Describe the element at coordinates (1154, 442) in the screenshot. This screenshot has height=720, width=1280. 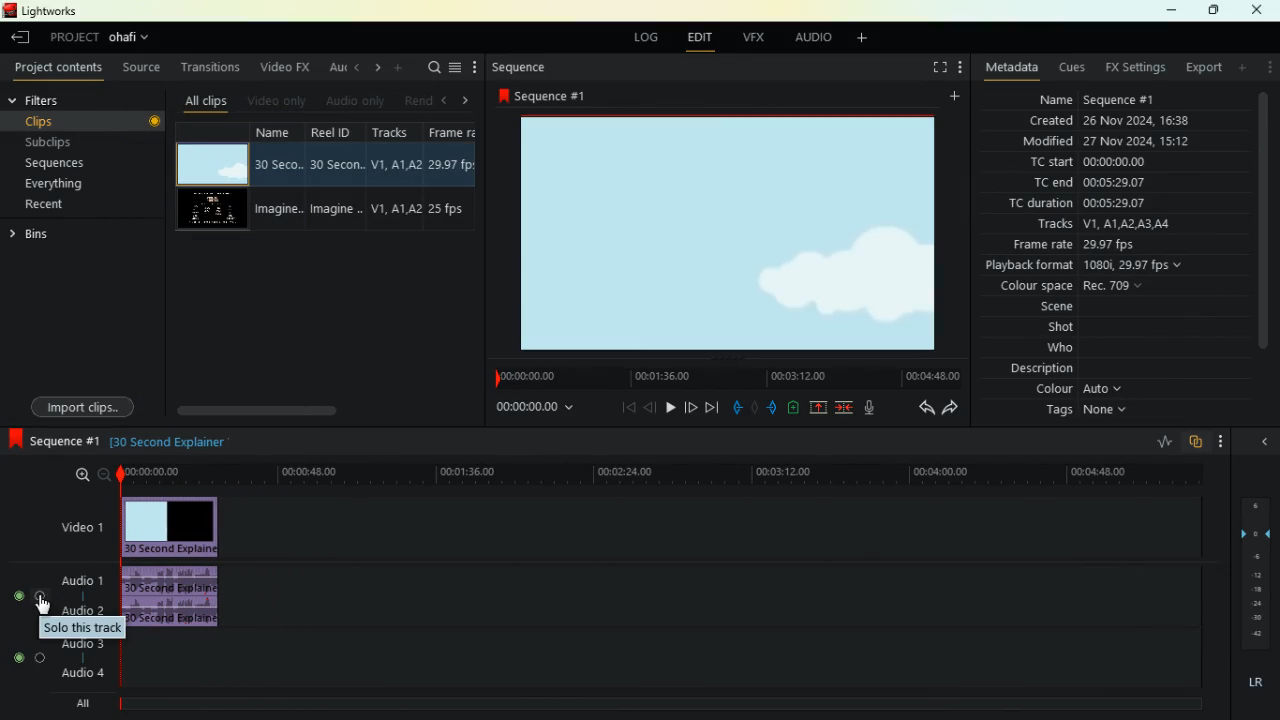
I see `rate` at that location.